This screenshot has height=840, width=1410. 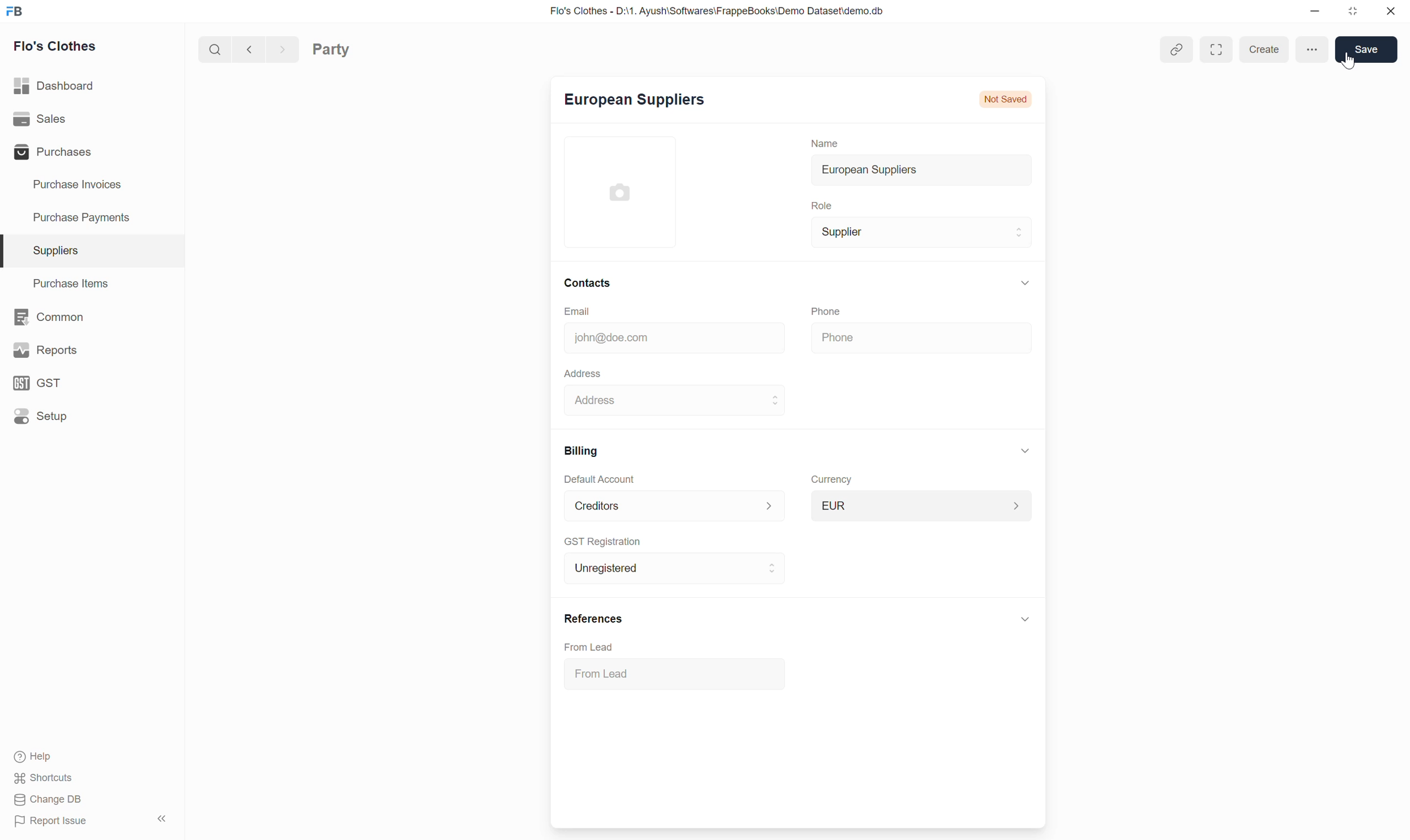 I want to click on Currency, so click(x=828, y=477).